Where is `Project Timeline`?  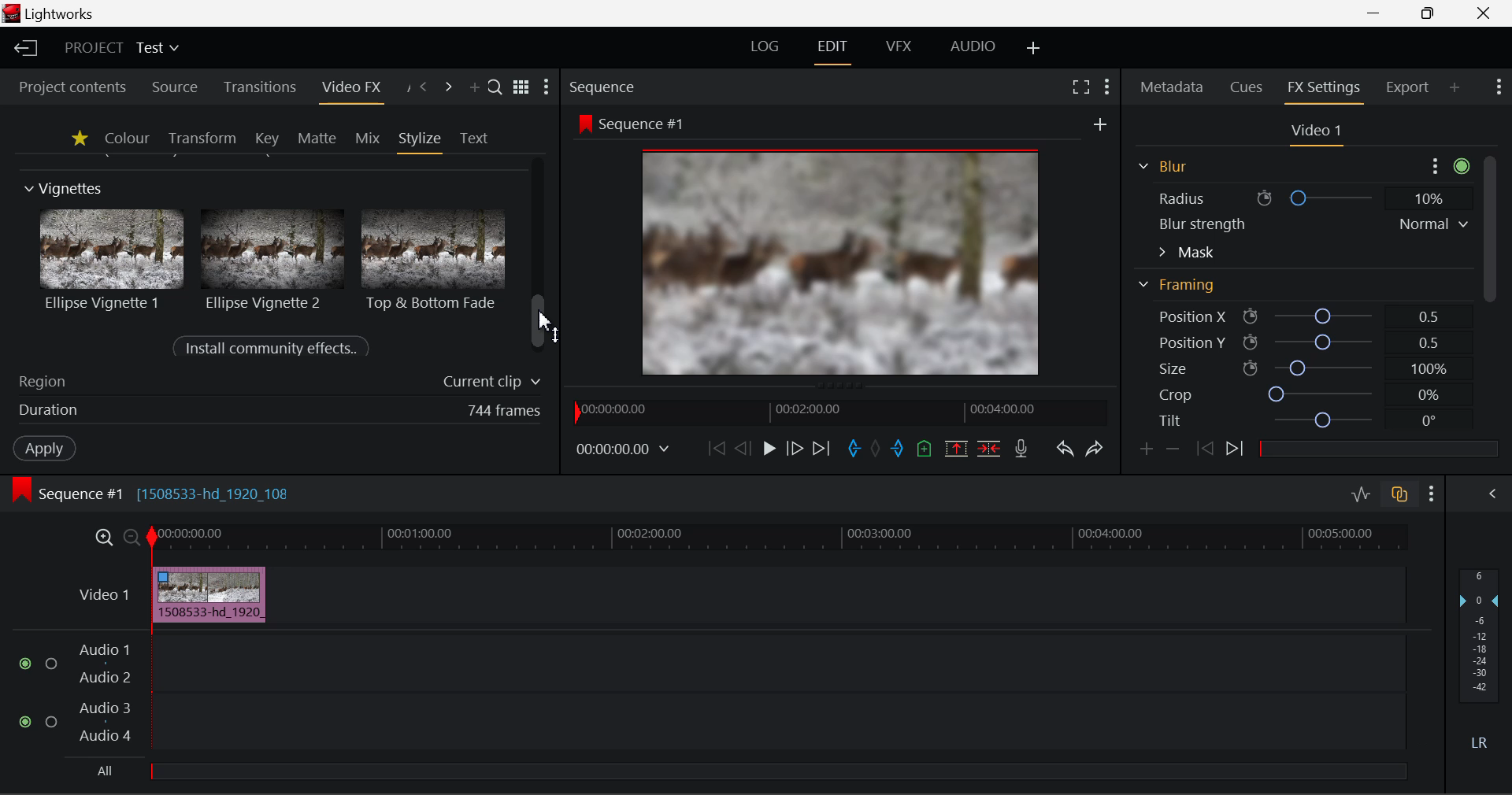
Project Timeline is located at coordinates (779, 538).